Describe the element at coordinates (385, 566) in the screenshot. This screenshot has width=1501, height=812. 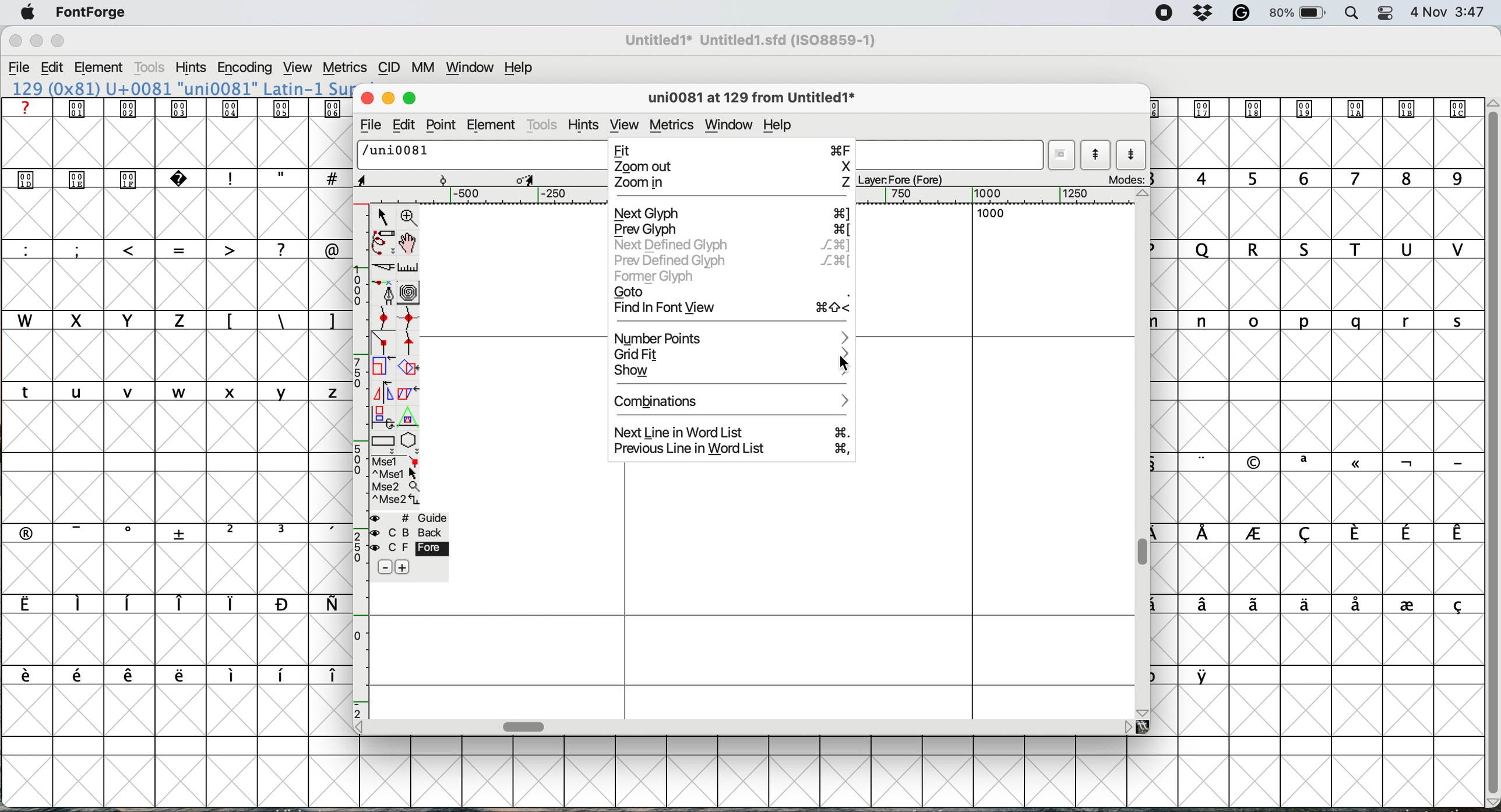
I see `Minus` at that location.